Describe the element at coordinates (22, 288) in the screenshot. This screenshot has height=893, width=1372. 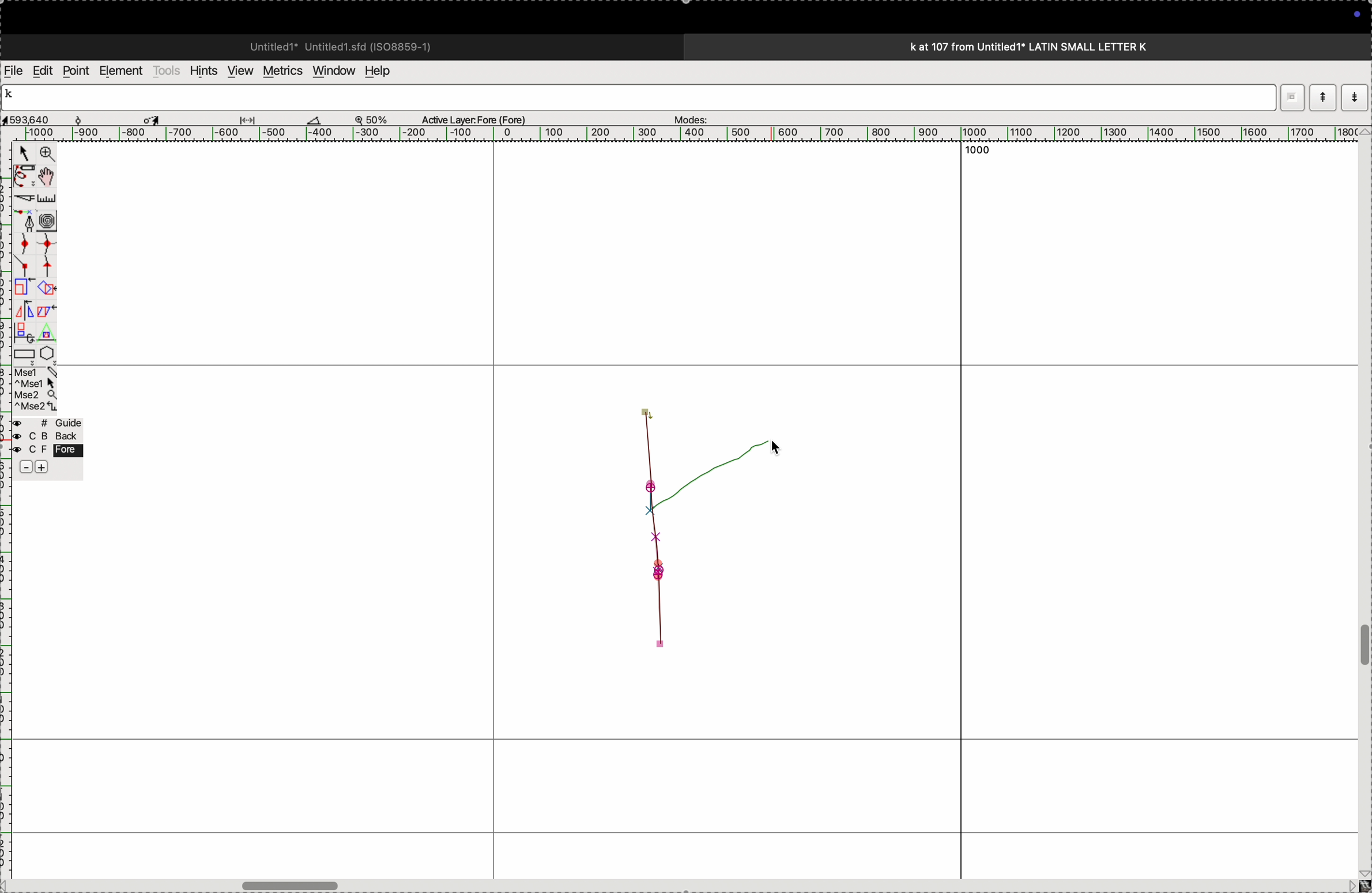
I see `clone` at that location.